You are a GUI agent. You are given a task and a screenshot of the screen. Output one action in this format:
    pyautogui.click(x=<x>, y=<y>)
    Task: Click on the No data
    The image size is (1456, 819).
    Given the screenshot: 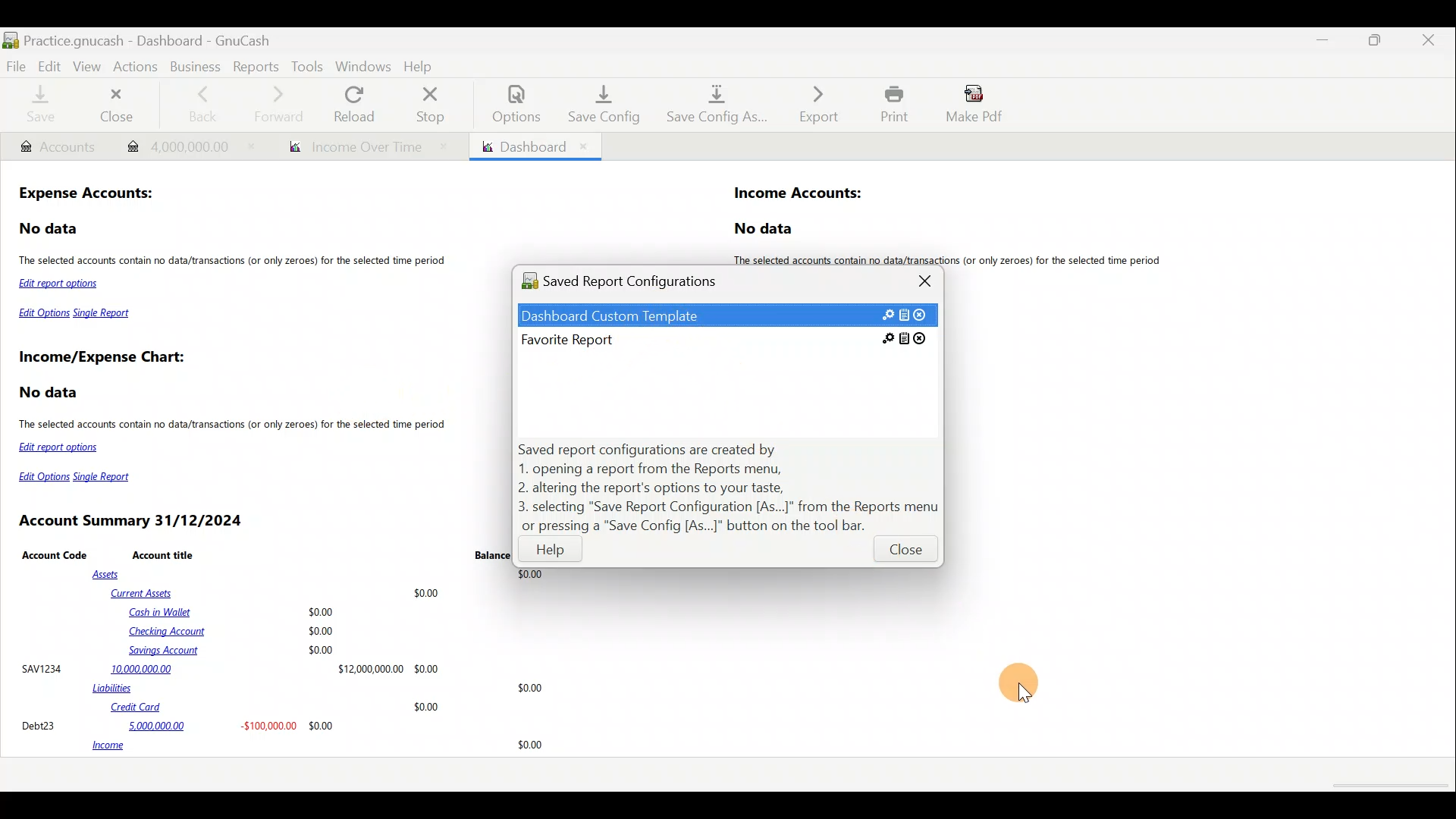 What is the action you would take?
    pyautogui.click(x=51, y=393)
    